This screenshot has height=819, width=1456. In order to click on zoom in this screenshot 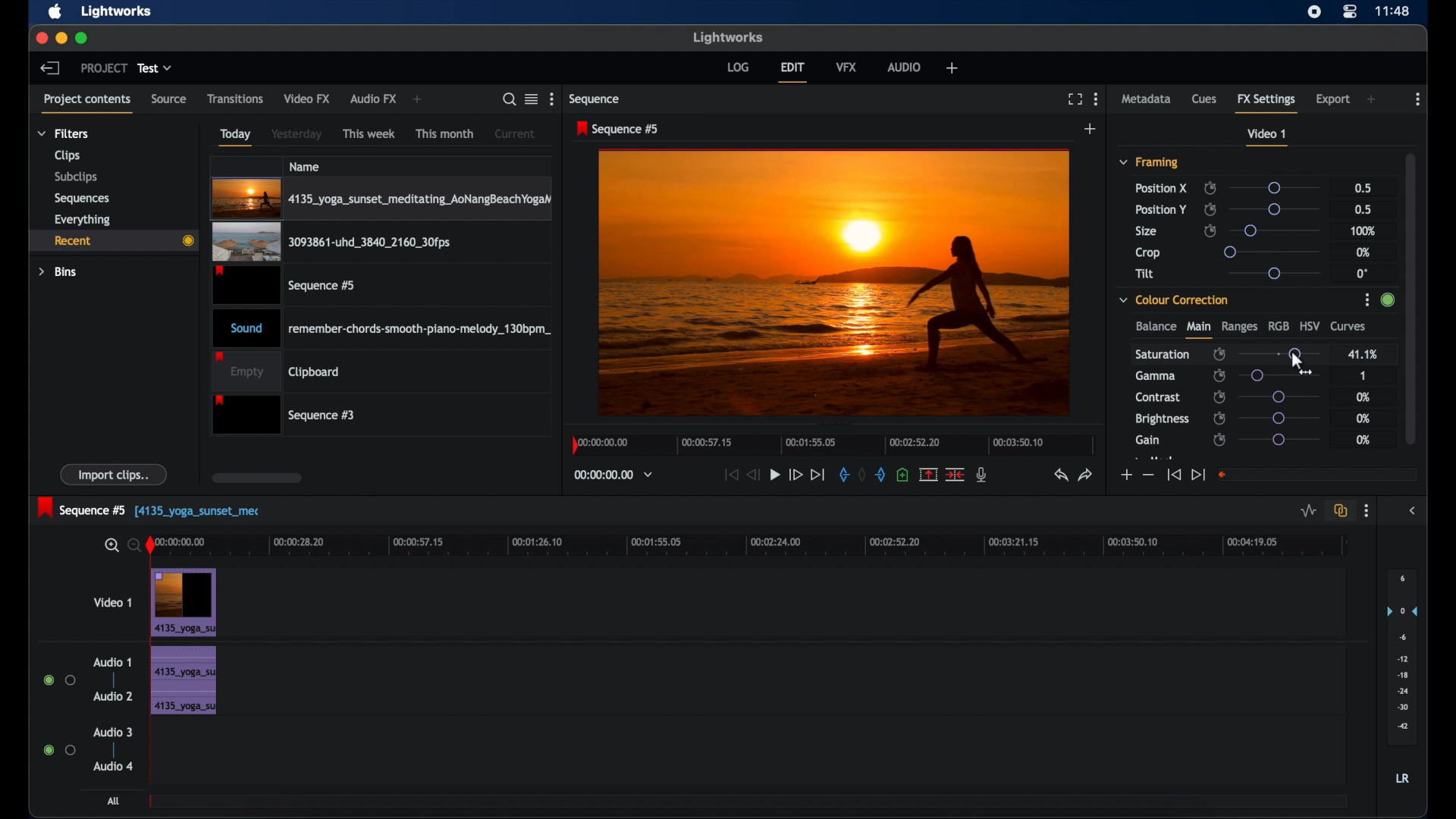, I will do `click(120, 544)`.